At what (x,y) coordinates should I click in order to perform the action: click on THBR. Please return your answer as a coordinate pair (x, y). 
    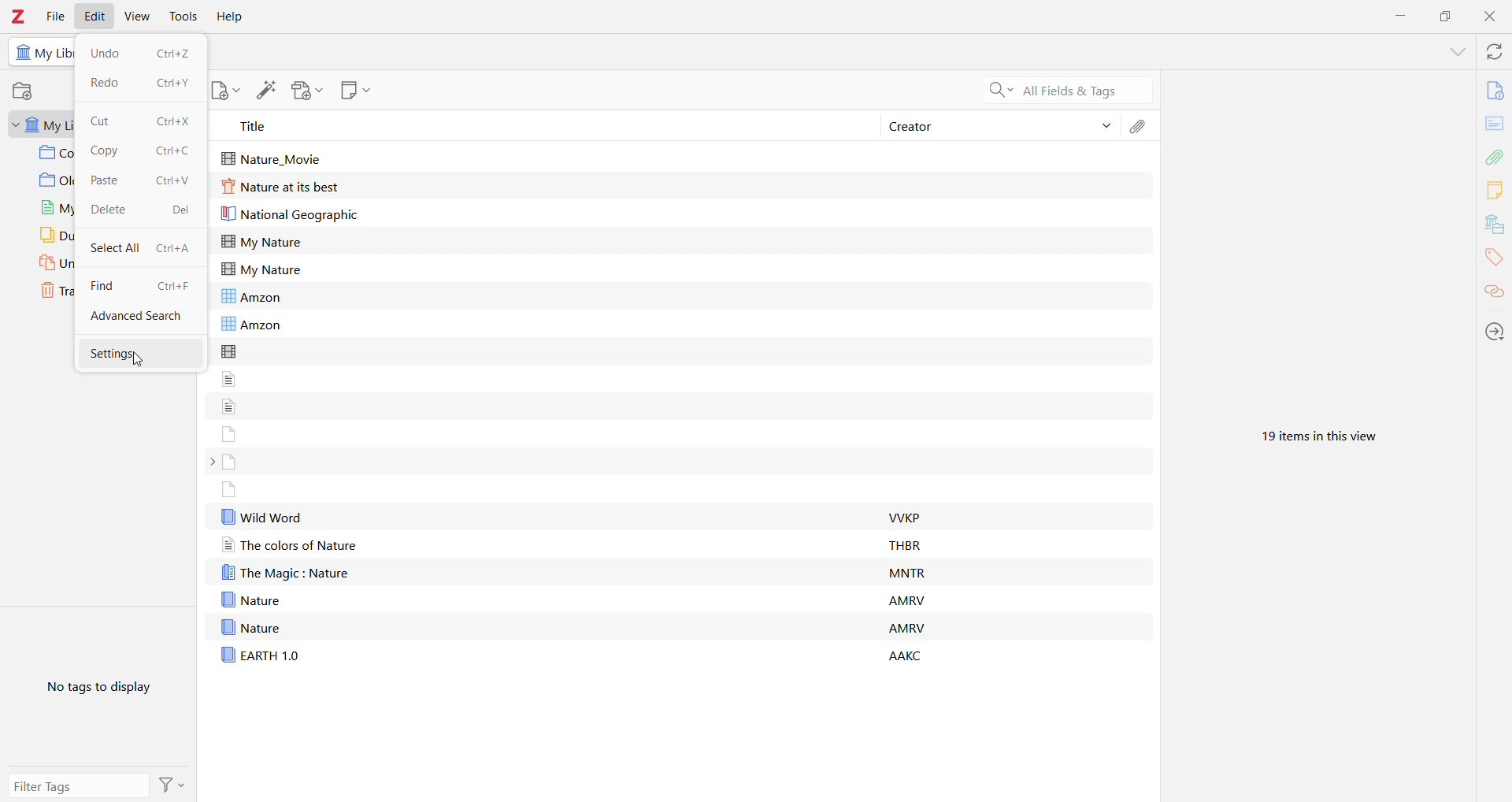
    Looking at the image, I should click on (905, 545).